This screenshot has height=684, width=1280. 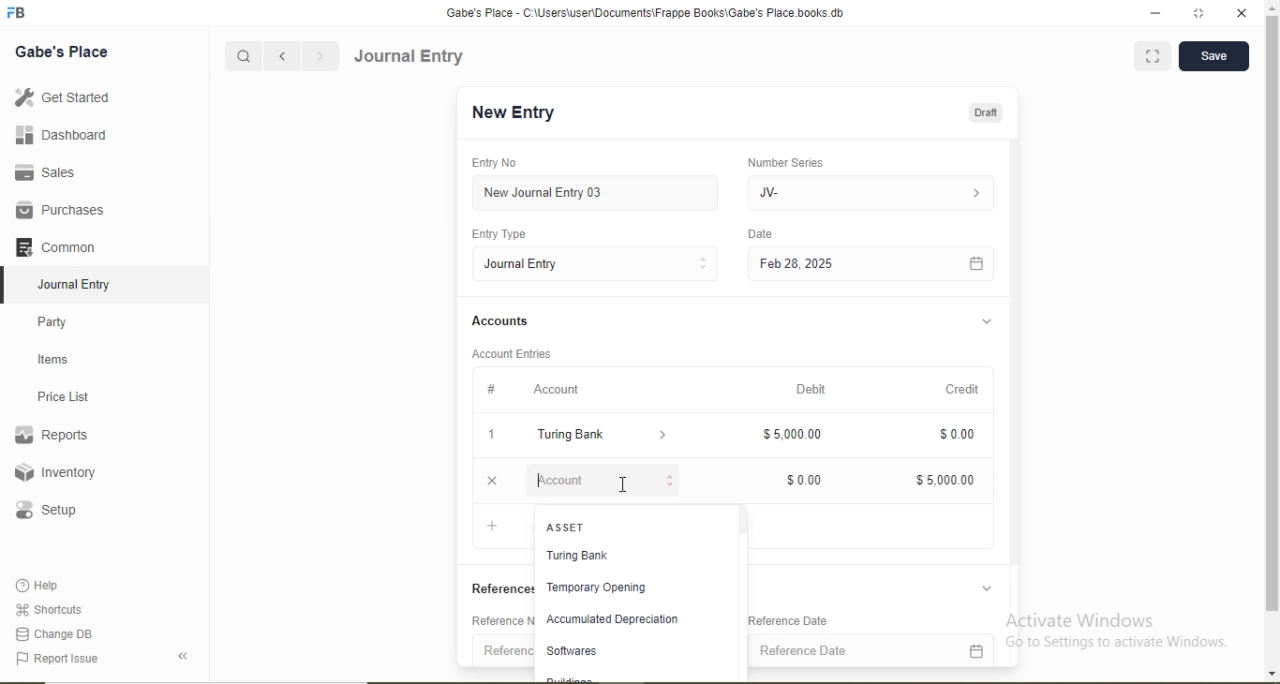 I want to click on Change DB, so click(x=52, y=635).